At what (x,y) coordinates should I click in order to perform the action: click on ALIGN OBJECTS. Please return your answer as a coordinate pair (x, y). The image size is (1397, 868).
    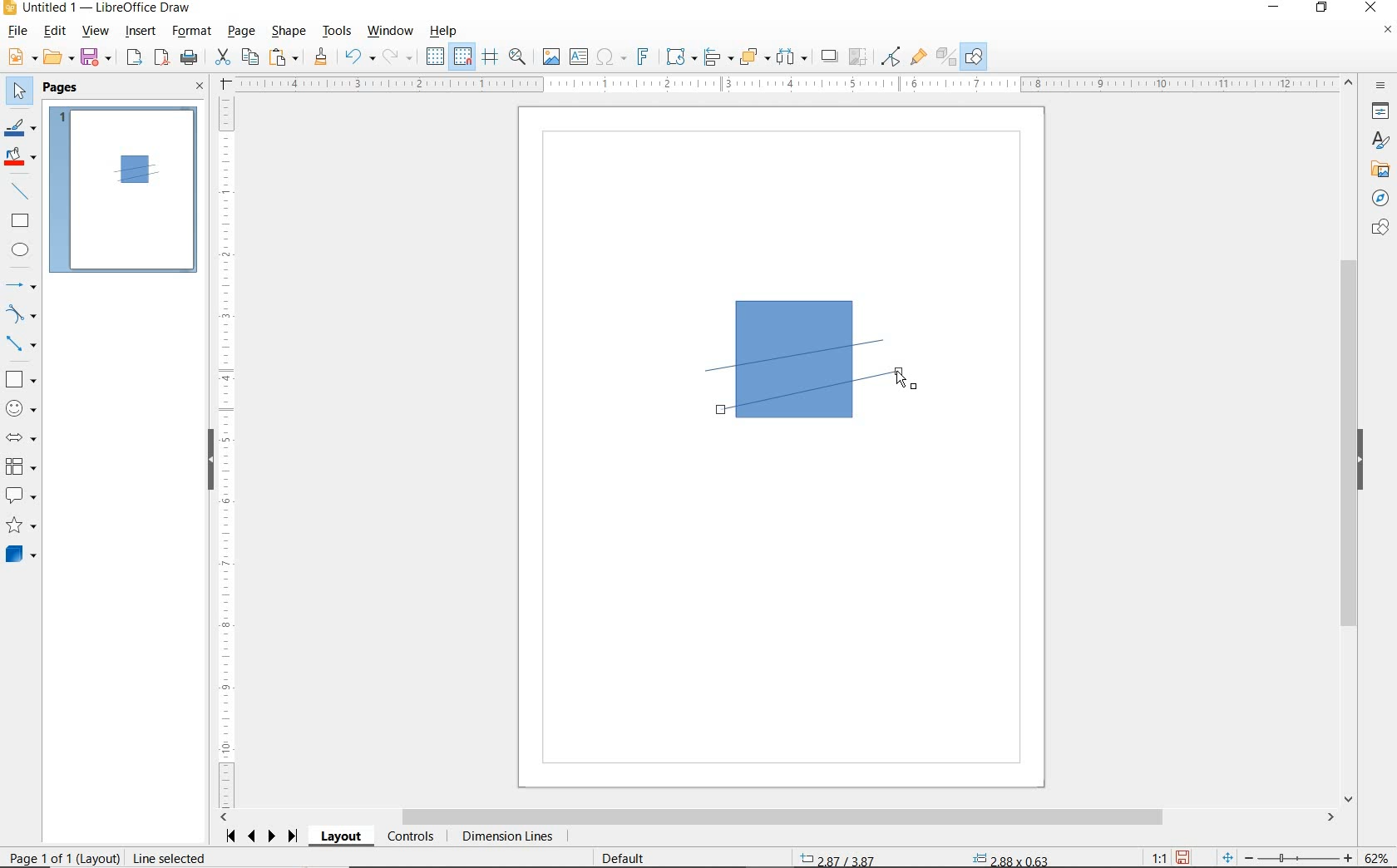
    Looking at the image, I should click on (718, 57).